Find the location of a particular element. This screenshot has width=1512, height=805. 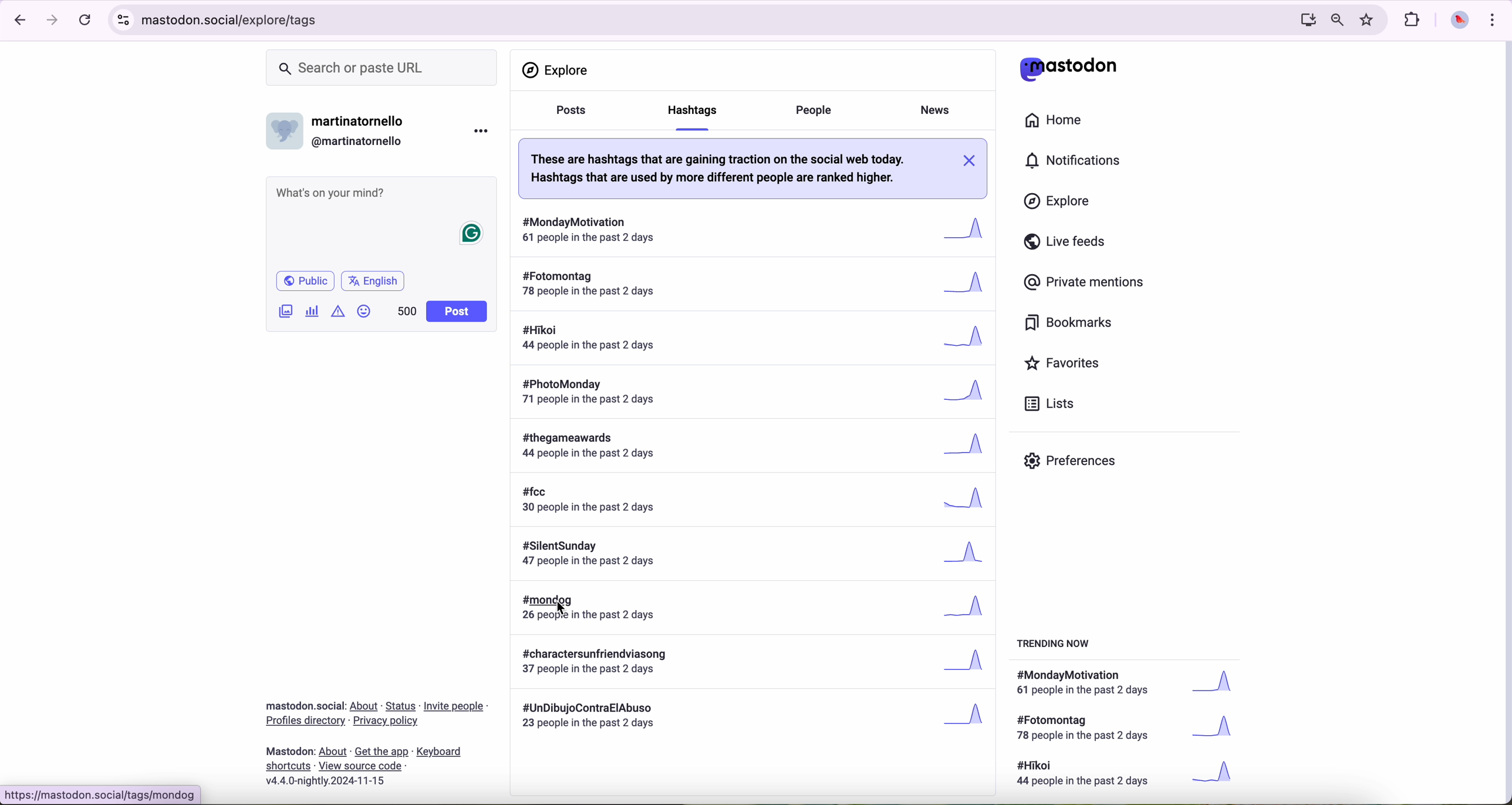

private mentions is located at coordinates (1088, 284).